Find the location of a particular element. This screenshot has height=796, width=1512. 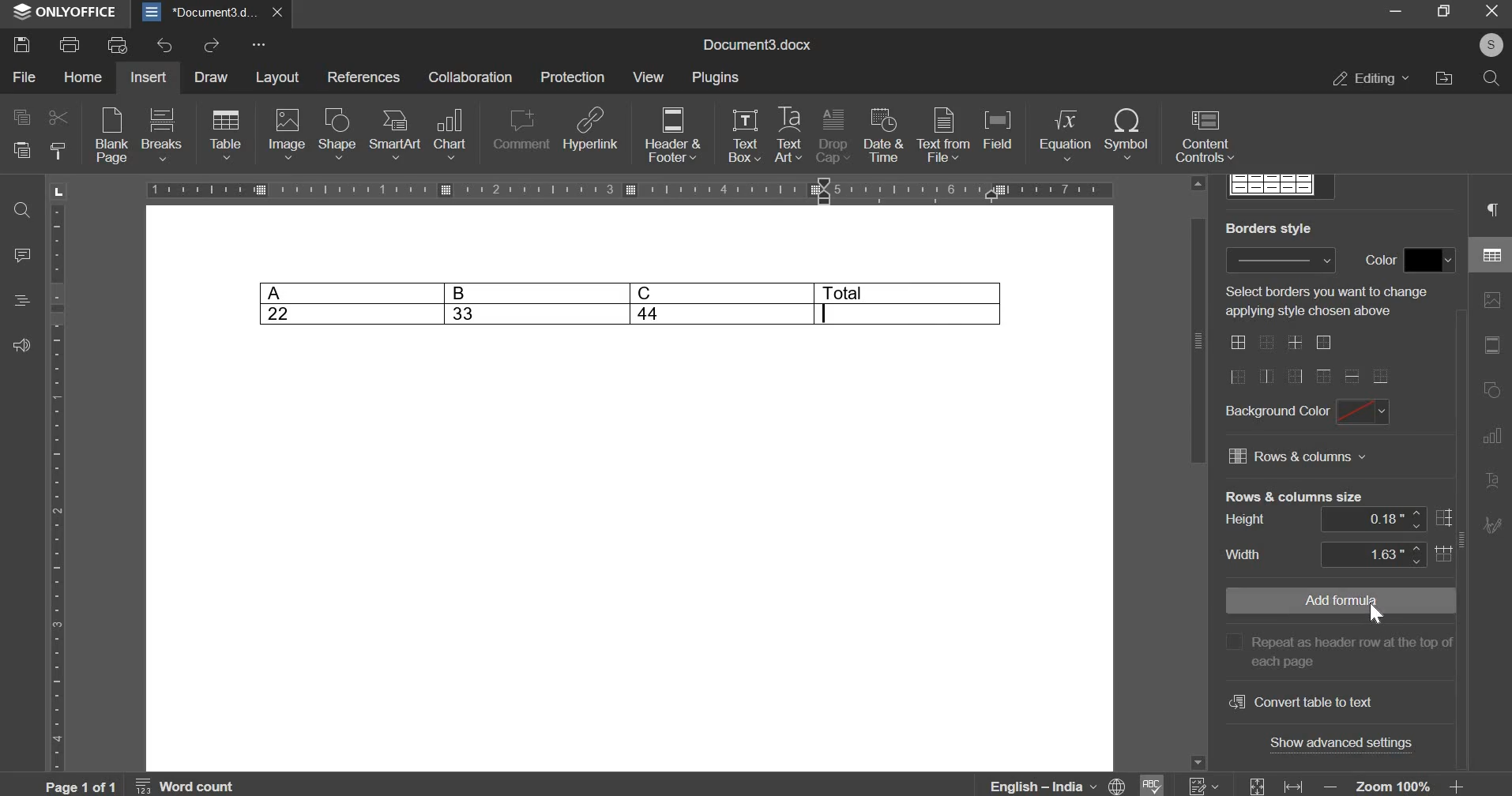

spelling is located at coordinates (1152, 784).